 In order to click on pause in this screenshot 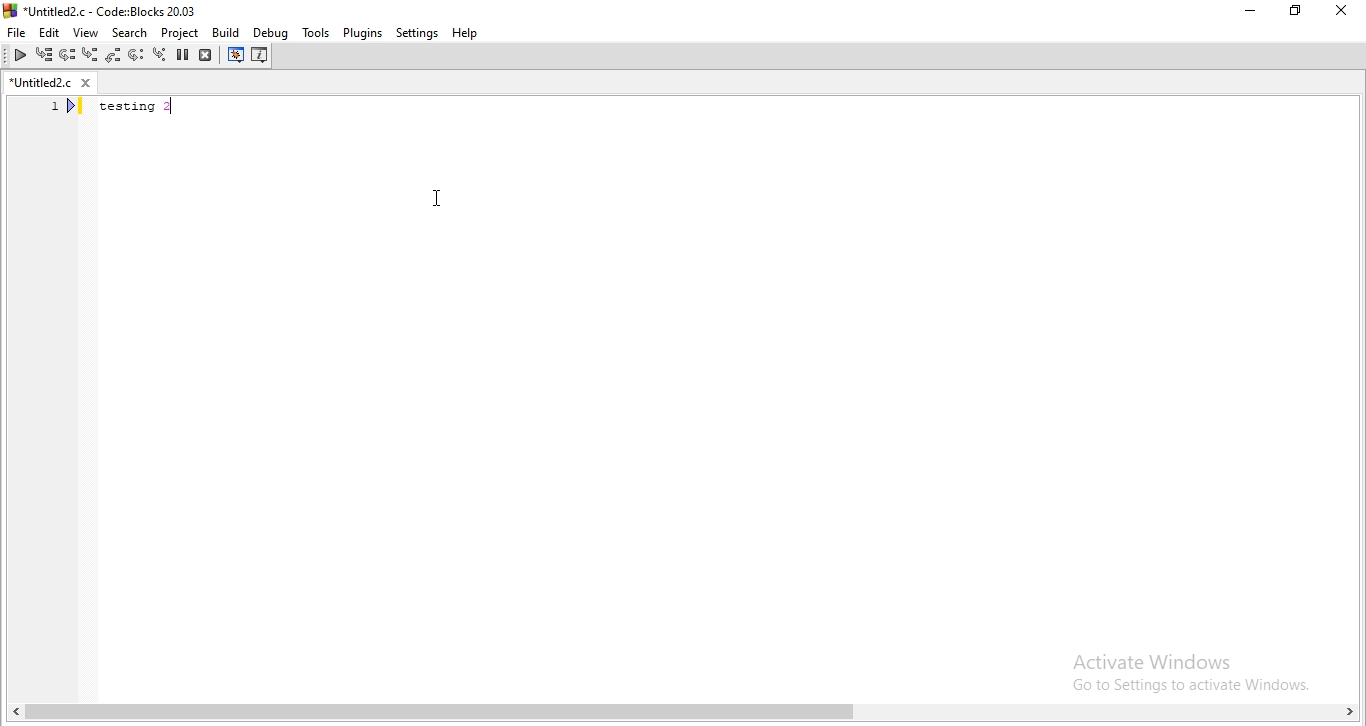, I will do `click(183, 56)`.